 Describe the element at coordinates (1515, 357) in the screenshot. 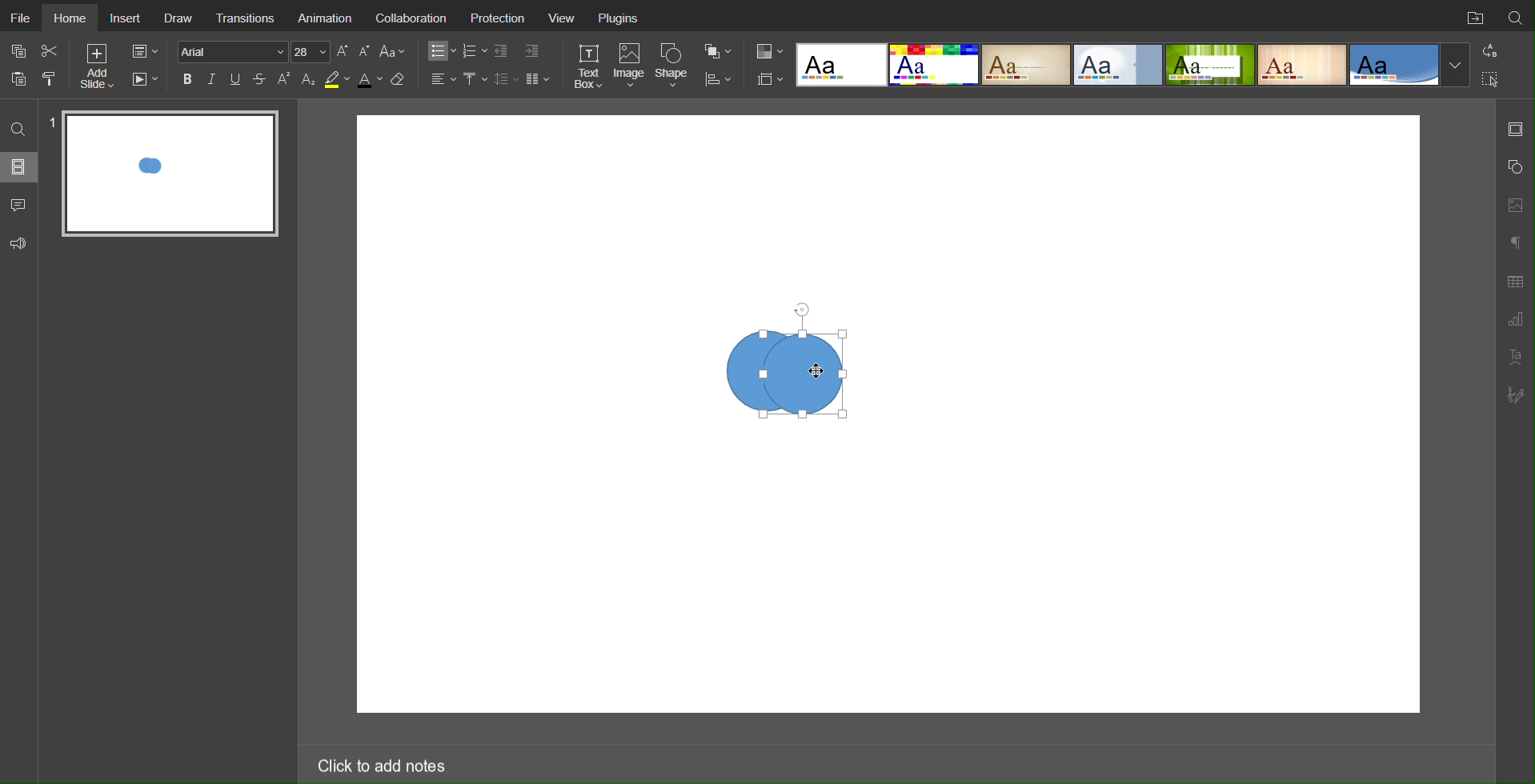

I see `Text Art` at that location.